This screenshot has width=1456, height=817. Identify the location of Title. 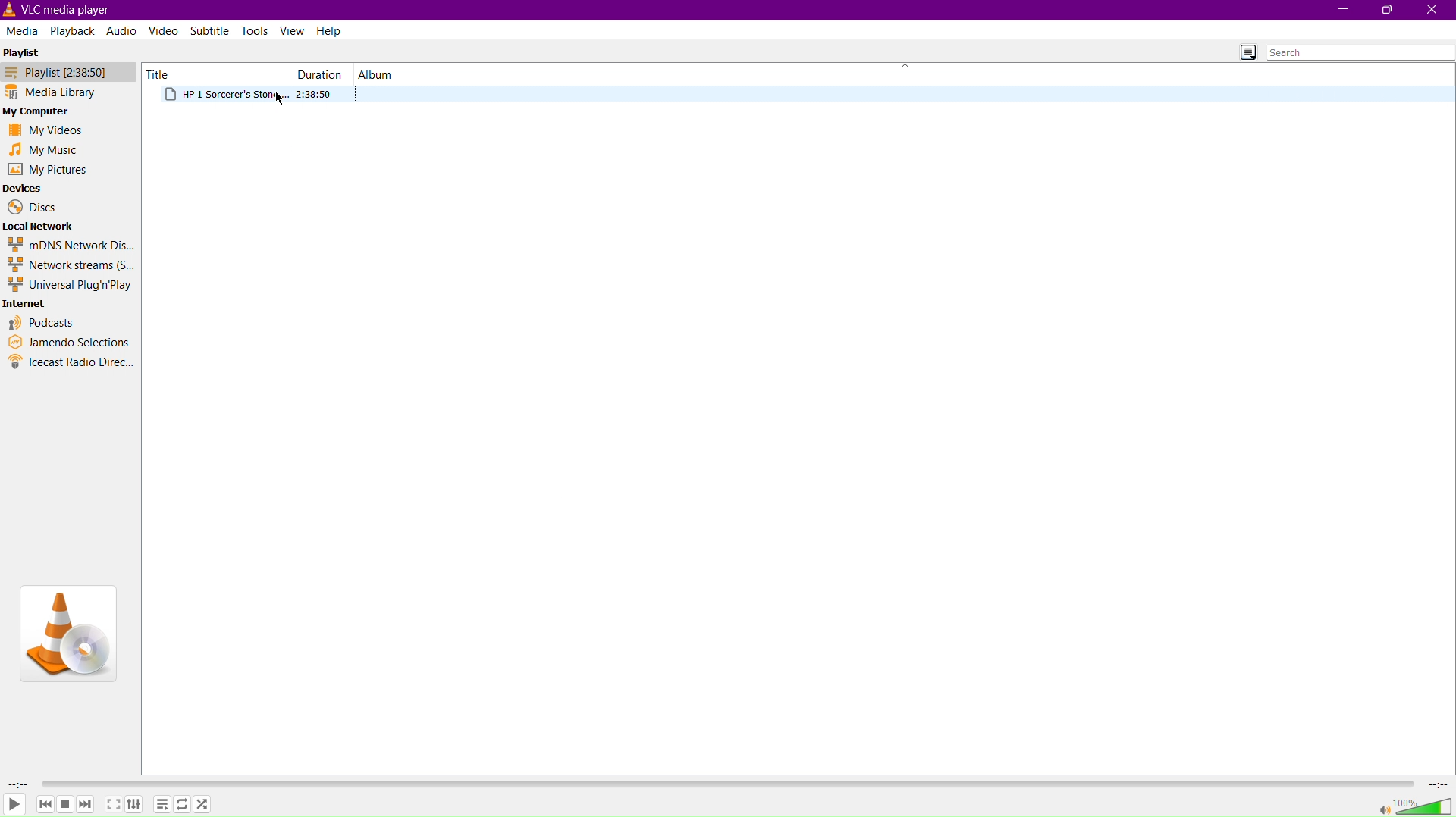
(162, 74).